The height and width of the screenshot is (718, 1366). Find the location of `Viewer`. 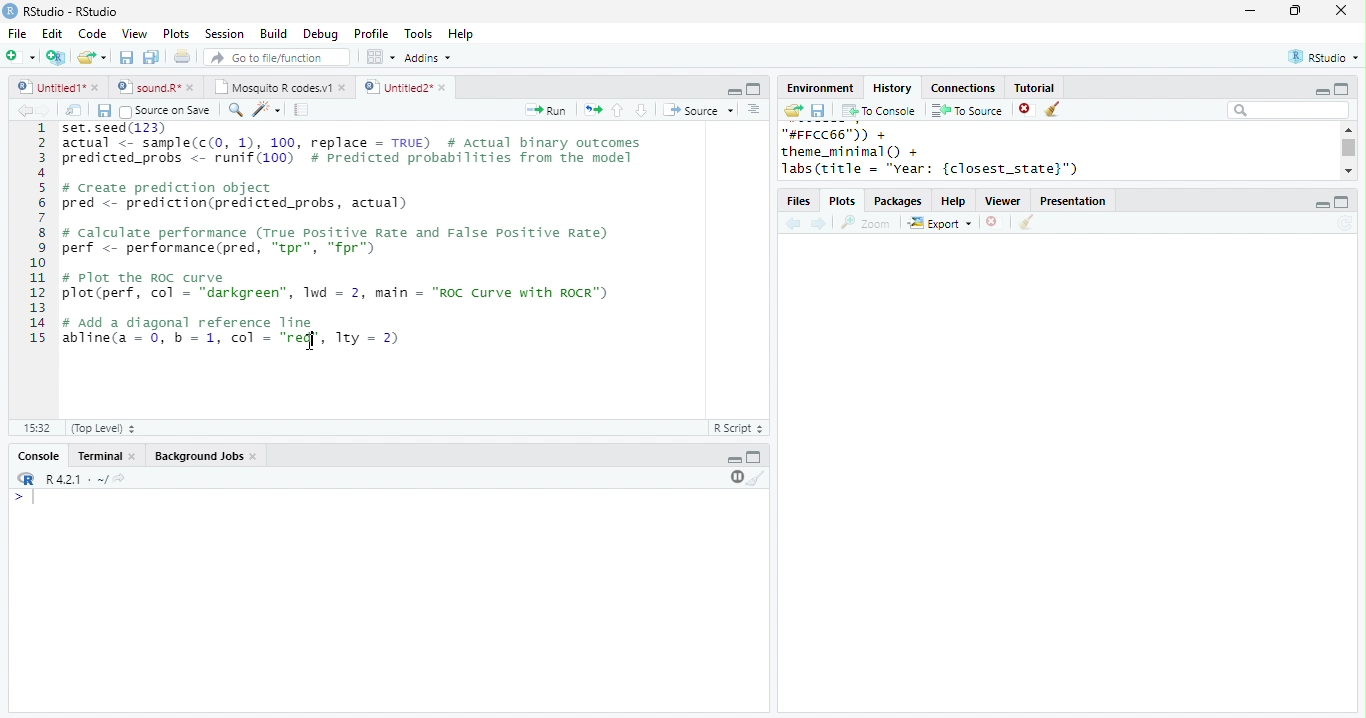

Viewer is located at coordinates (1004, 202).